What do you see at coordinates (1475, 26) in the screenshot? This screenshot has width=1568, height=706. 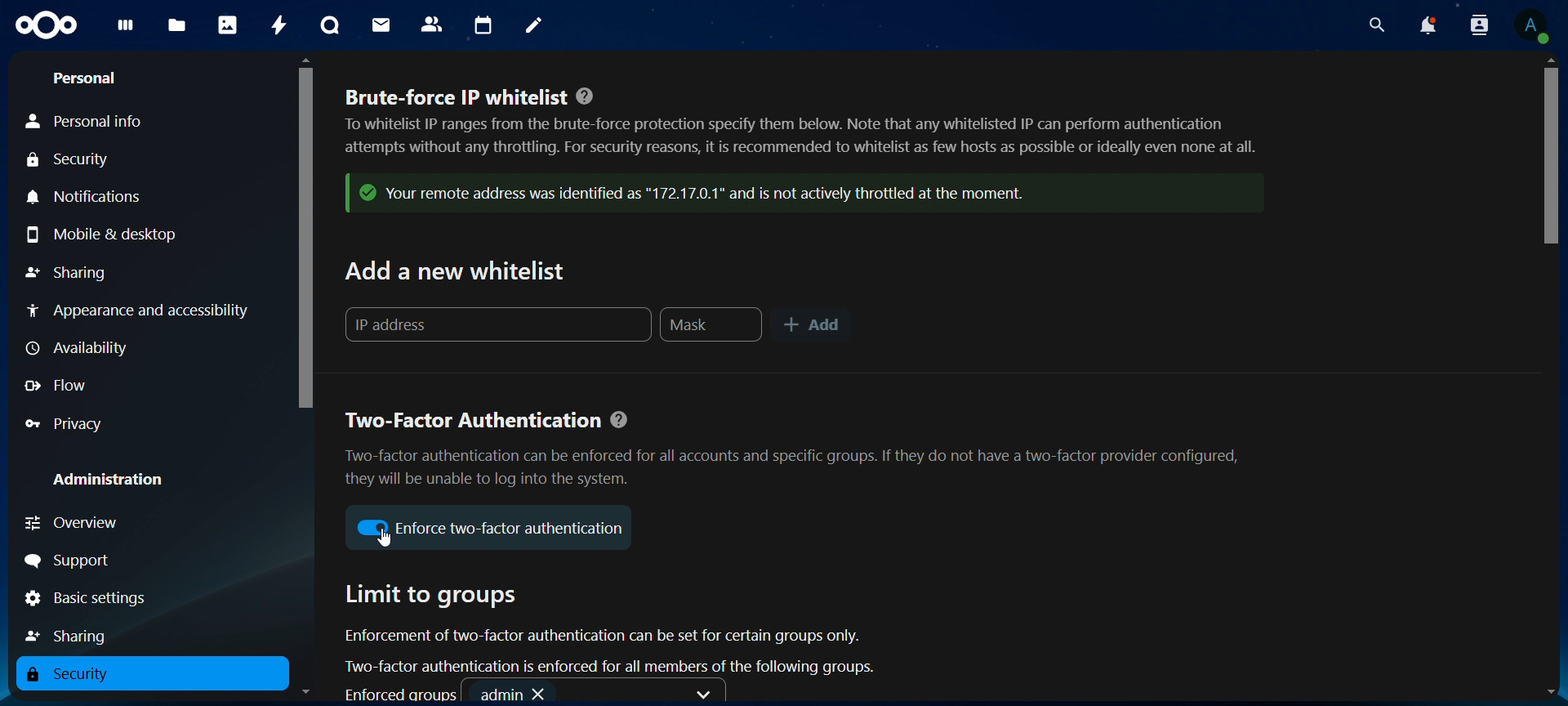 I see `search contacts` at bounding box center [1475, 26].